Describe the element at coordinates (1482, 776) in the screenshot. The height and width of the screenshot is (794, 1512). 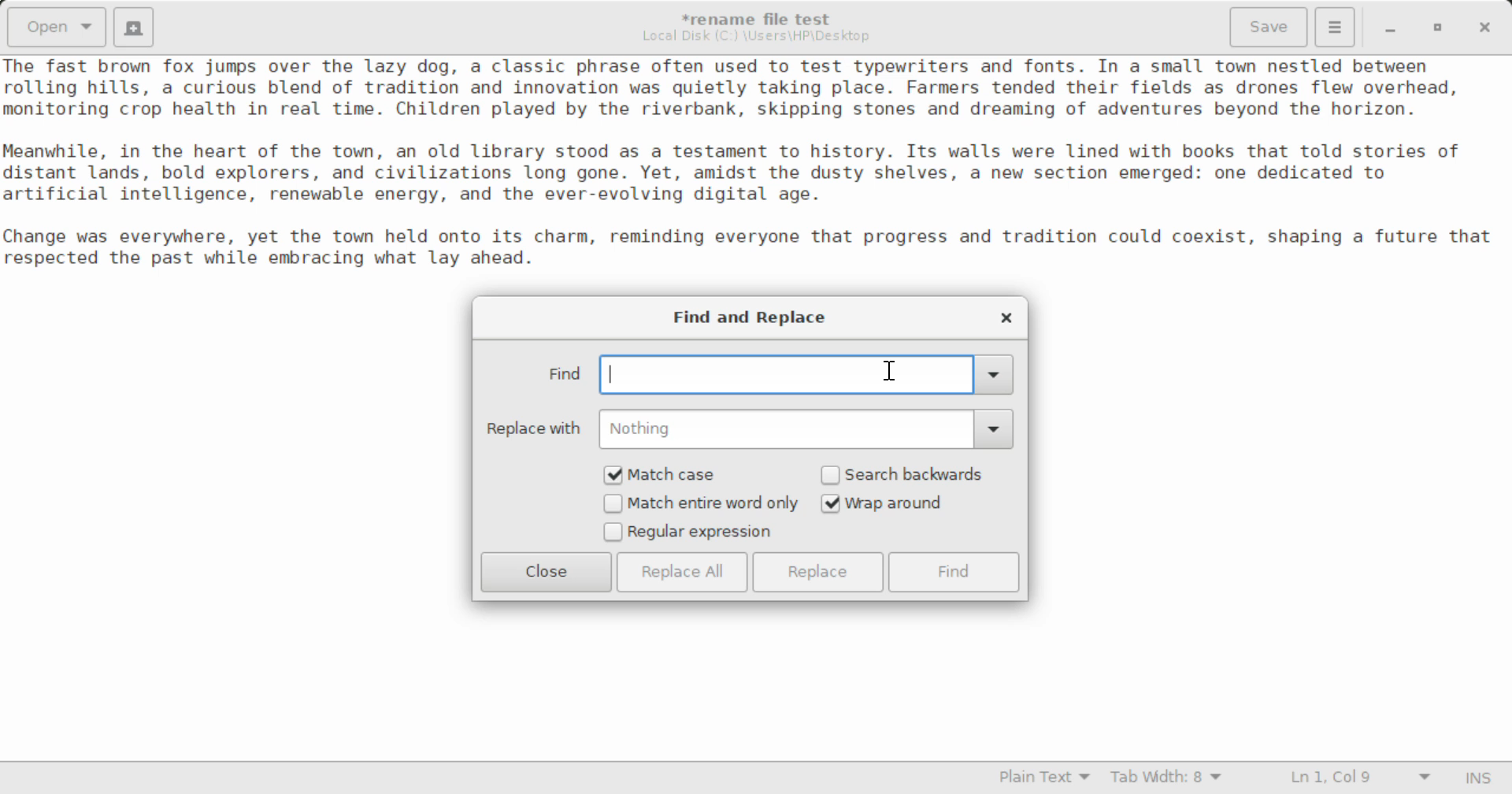
I see `Input Mode` at that location.